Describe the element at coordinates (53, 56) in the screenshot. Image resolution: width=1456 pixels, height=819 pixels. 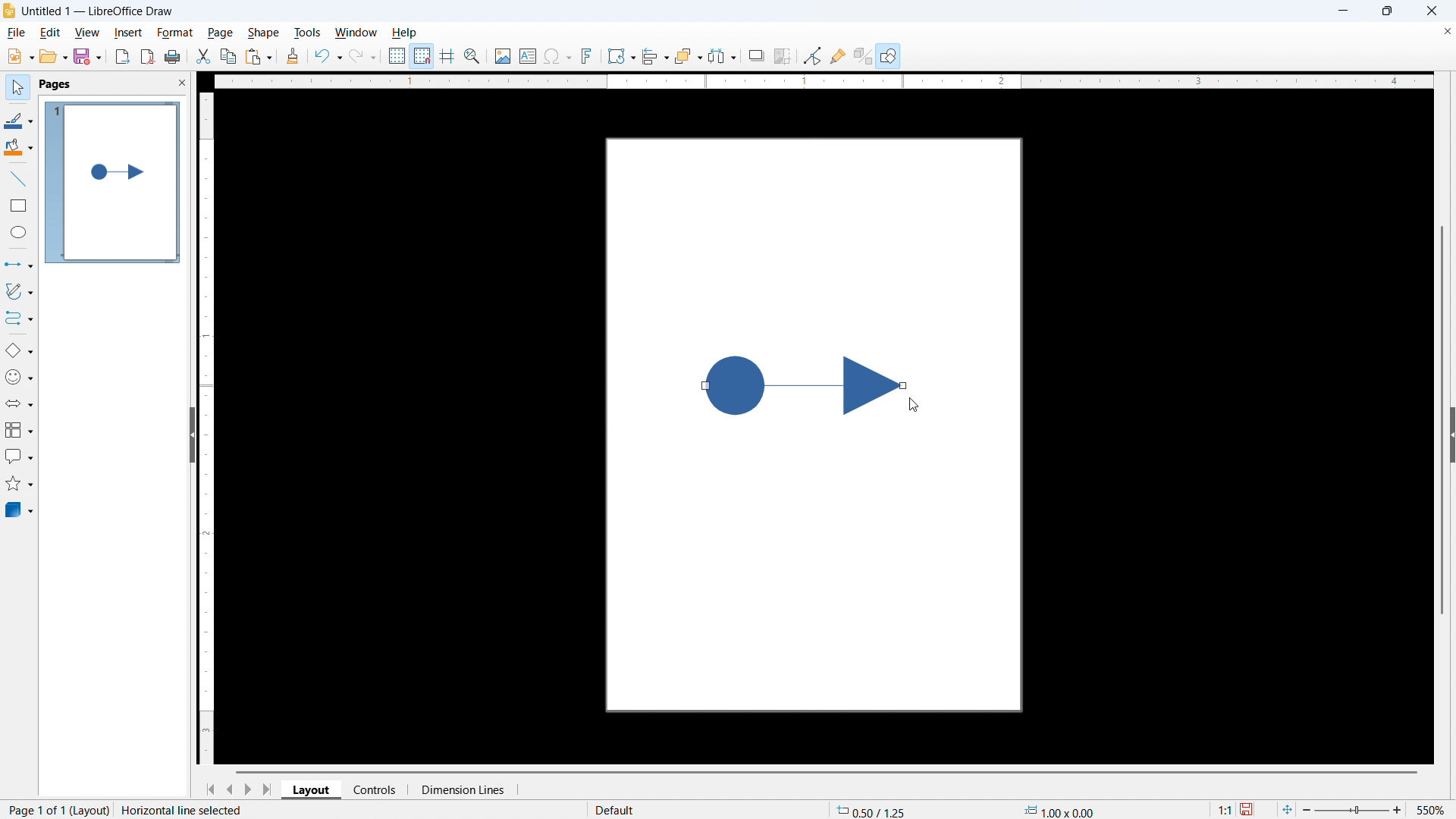
I see `open ` at that location.